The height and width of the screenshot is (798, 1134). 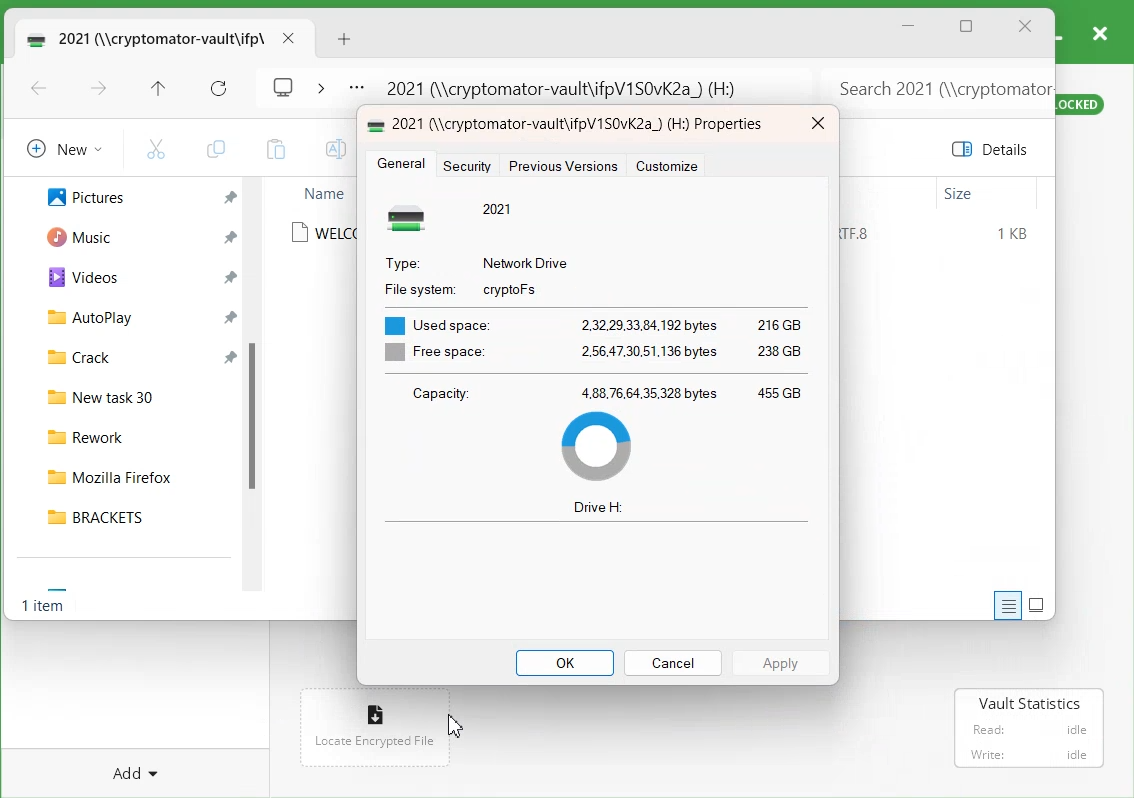 I want to click on 2021, so click(x=499, y=208).